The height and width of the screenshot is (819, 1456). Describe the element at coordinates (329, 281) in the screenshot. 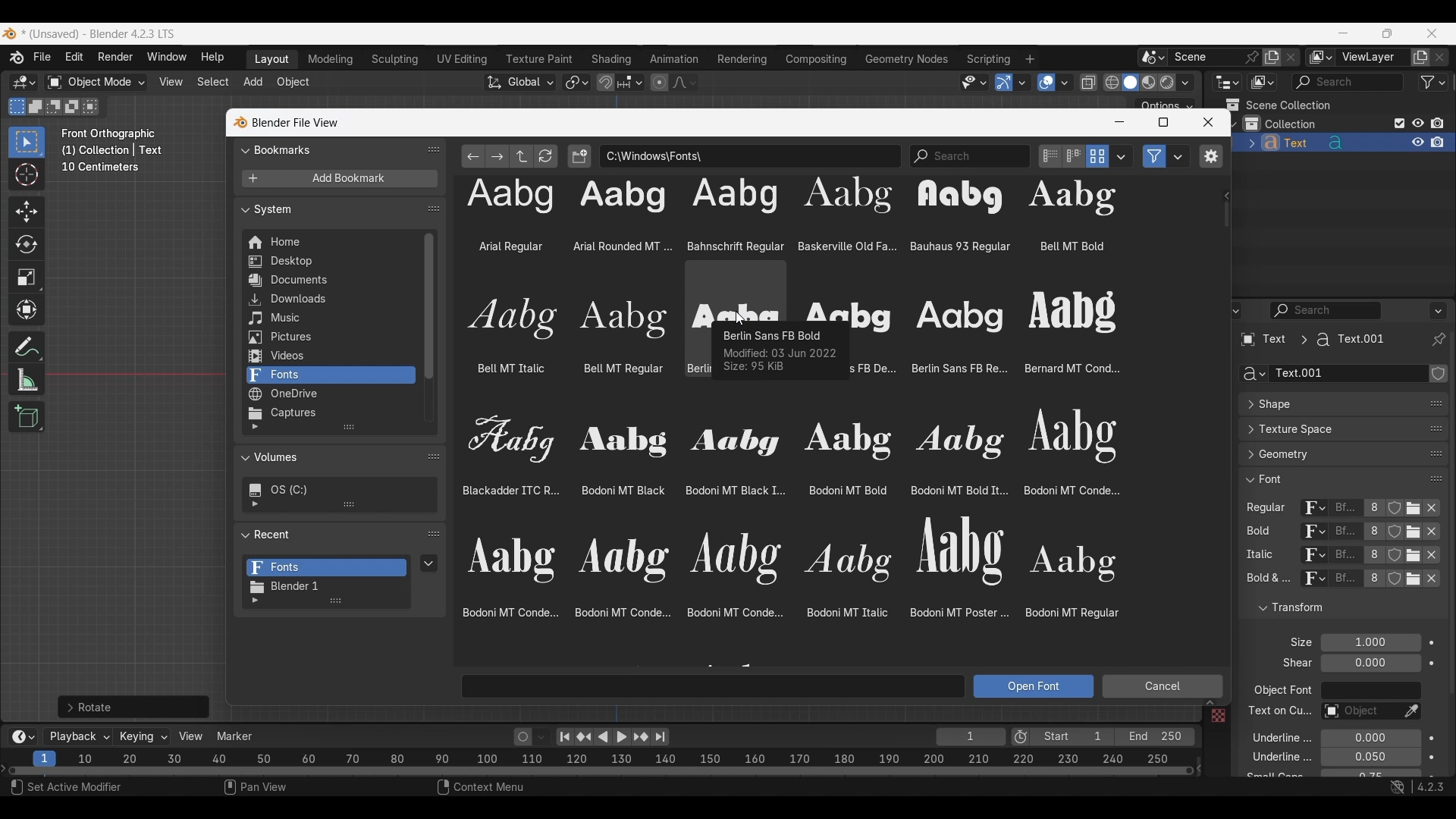

I see `Documents folder` at that location.